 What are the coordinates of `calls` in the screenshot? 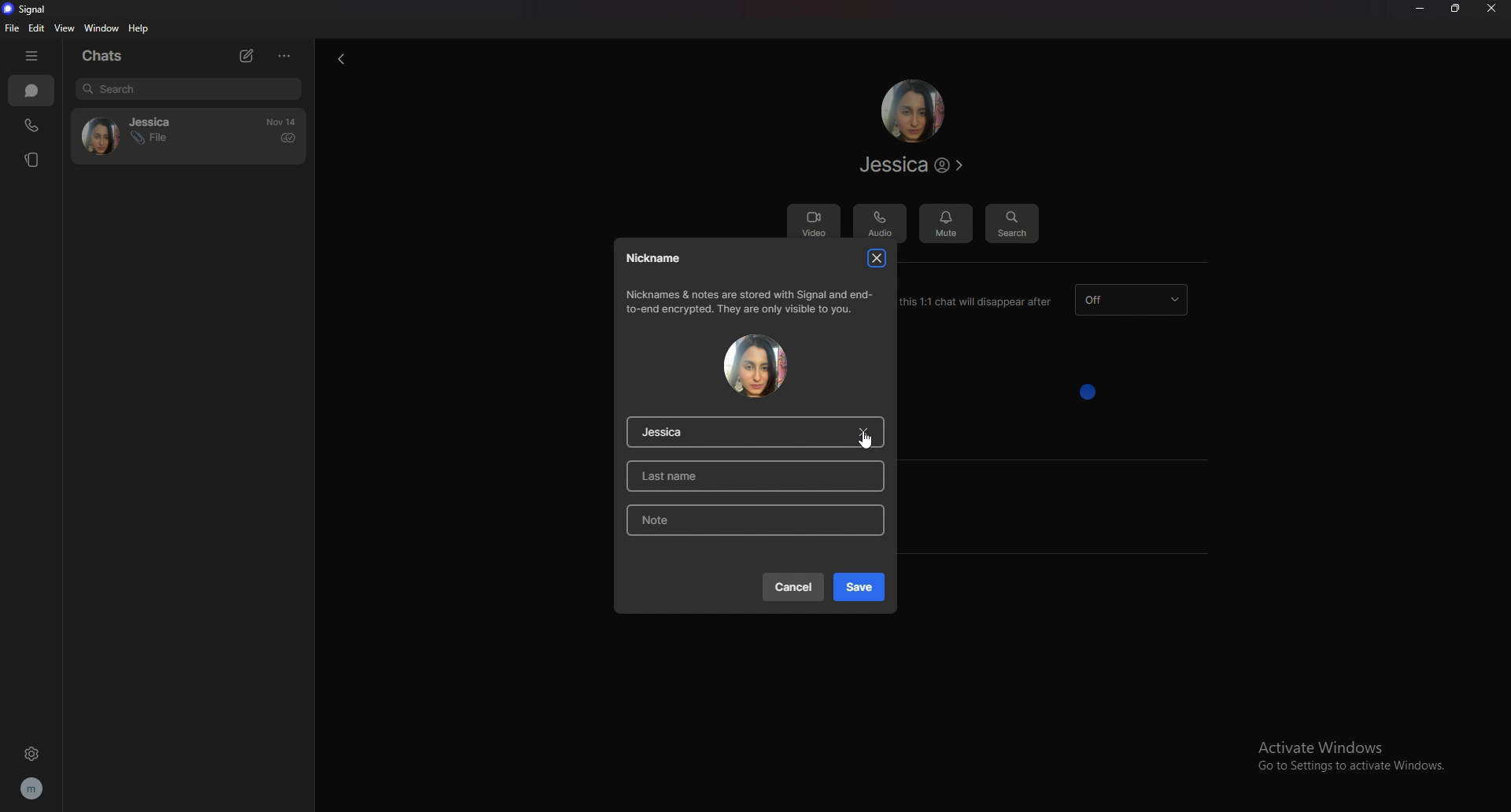 It's located at (34, 123).